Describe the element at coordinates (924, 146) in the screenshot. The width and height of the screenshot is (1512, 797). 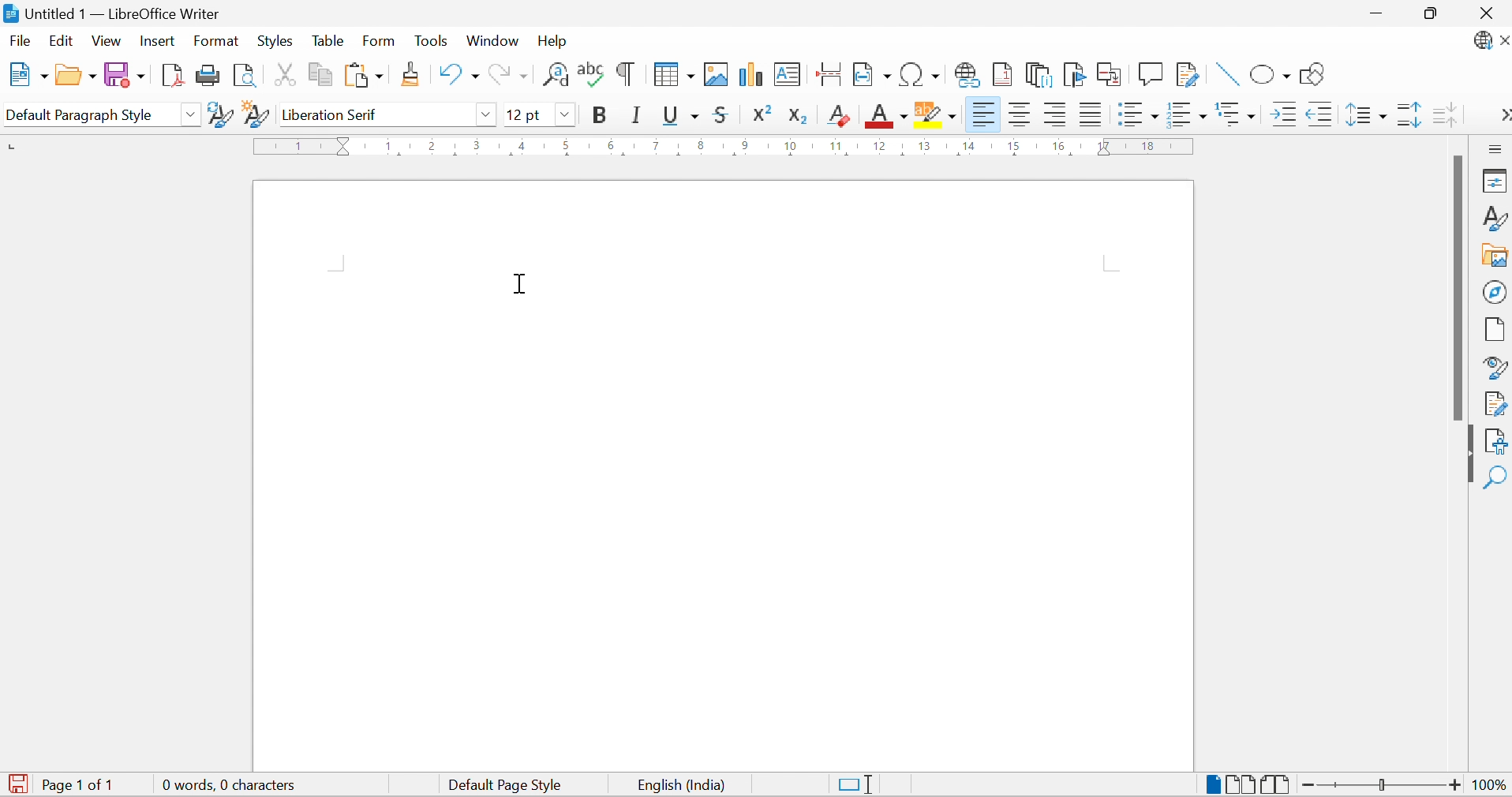
I see `13` at that location.